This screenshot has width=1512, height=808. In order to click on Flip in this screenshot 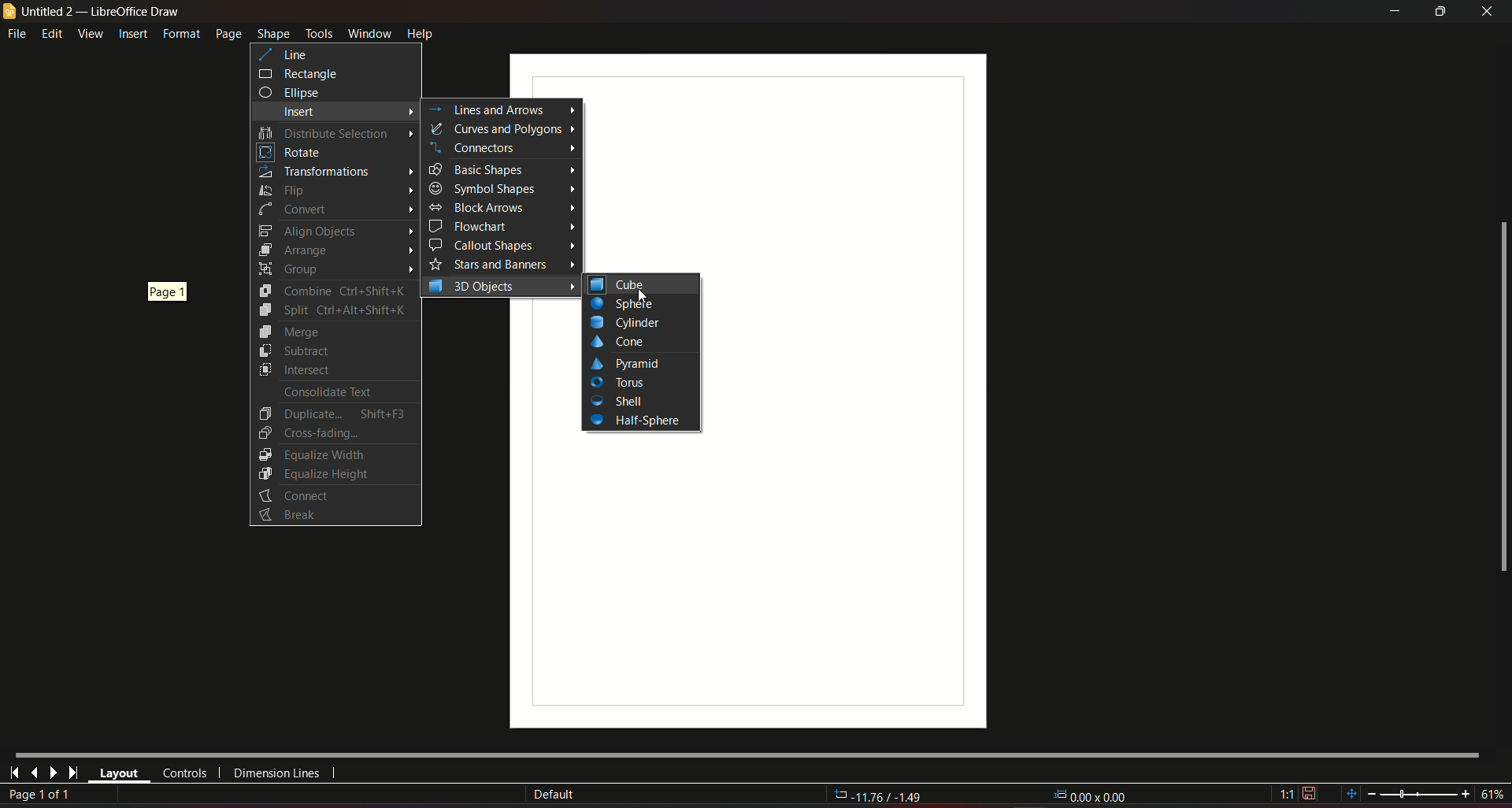, I will do `click(283, 189)`.